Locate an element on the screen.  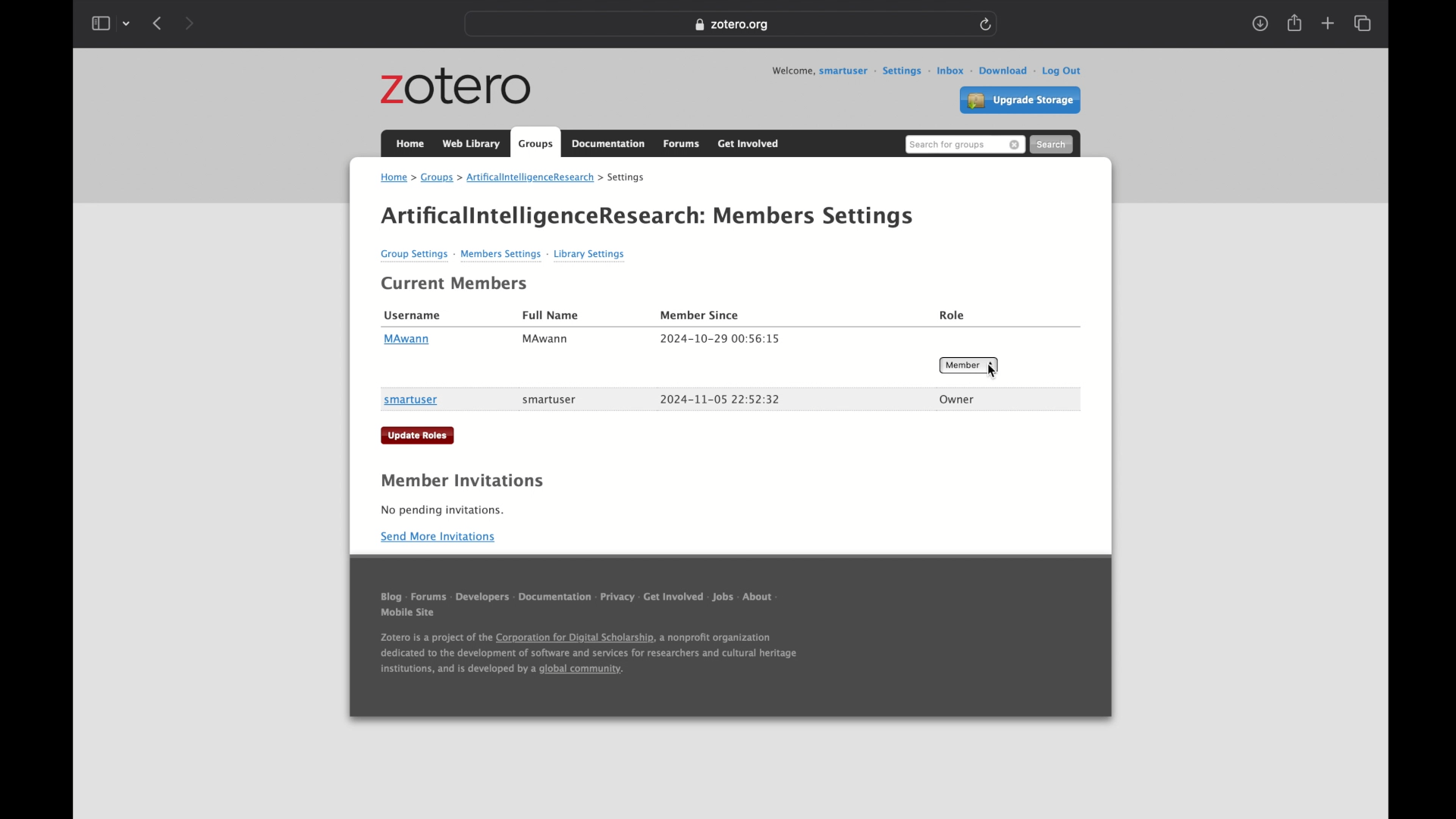
get involved is located at coordinates (750, 143).